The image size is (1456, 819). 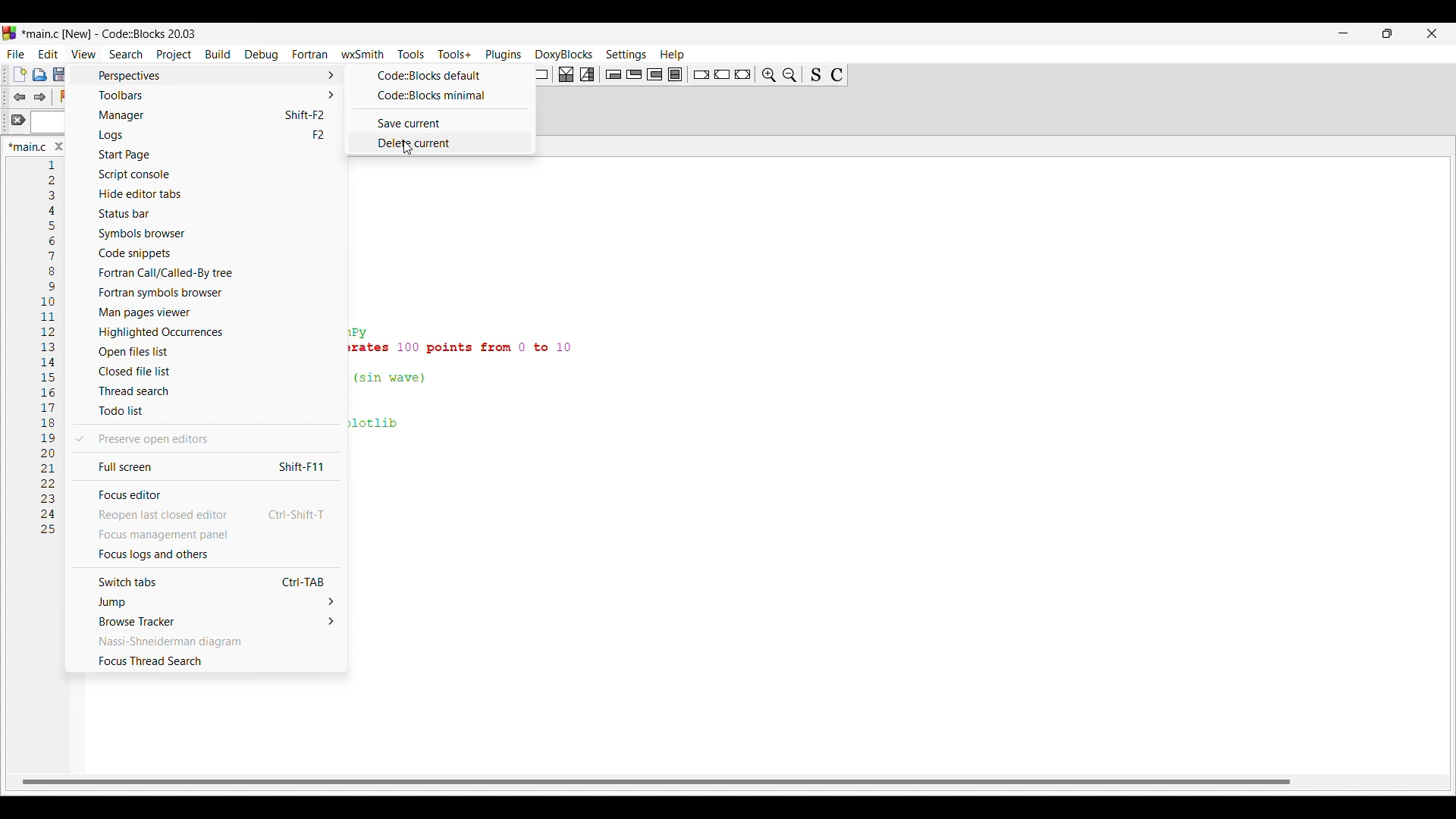 What do you see at coordinates (19, 74) in the screenshot?
I see `New file` at bounding box center [19, 74].